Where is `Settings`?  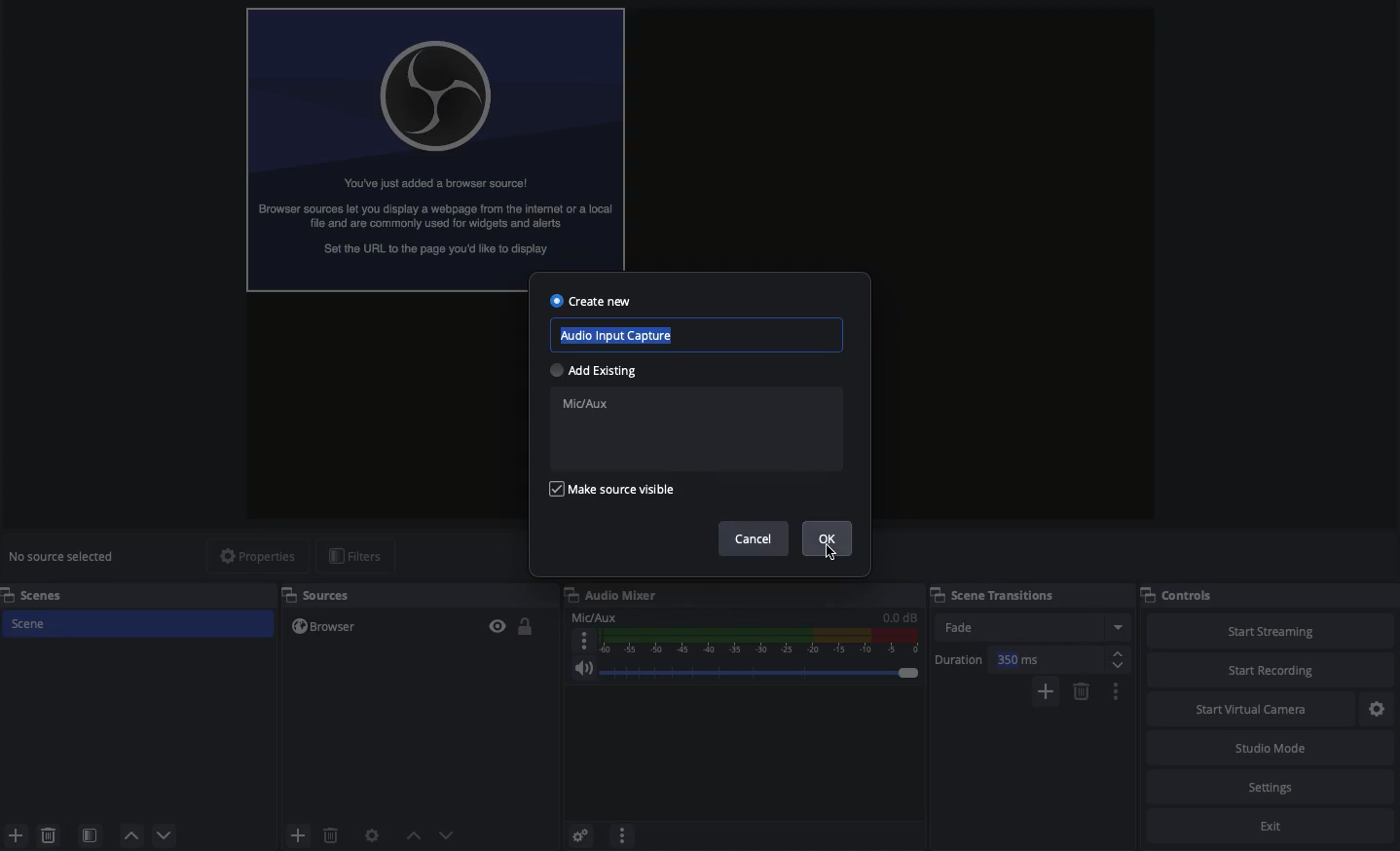 Settings is located at coordinates (1271, 788).